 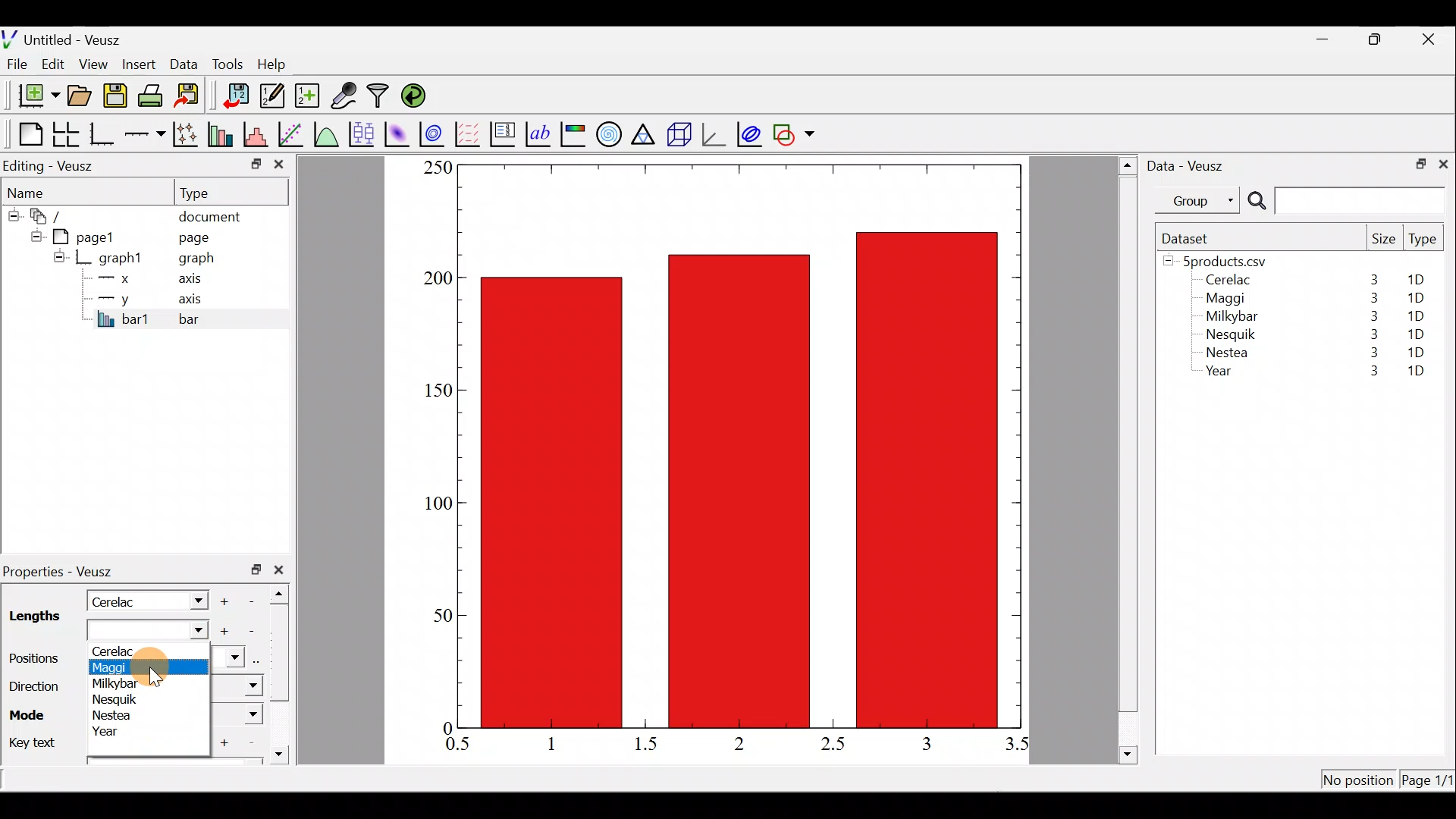 I want to click on axis, so click(x=197, y=300).